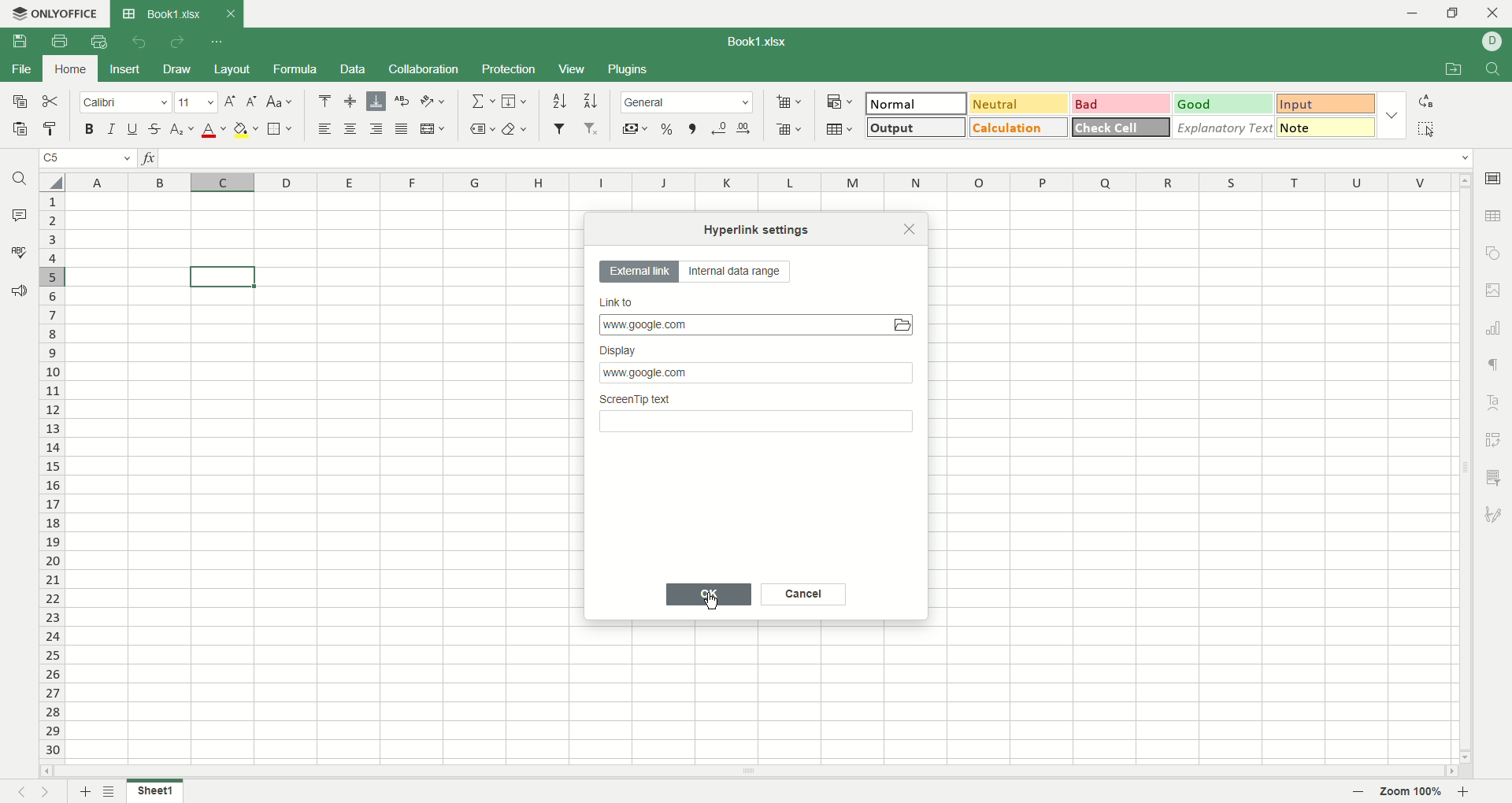 Image resolution: width=1512 pixels, height=803 pixels. Describe the element at coordinates (1496, 476) in the screenshot. I see `slice settings` at that location.